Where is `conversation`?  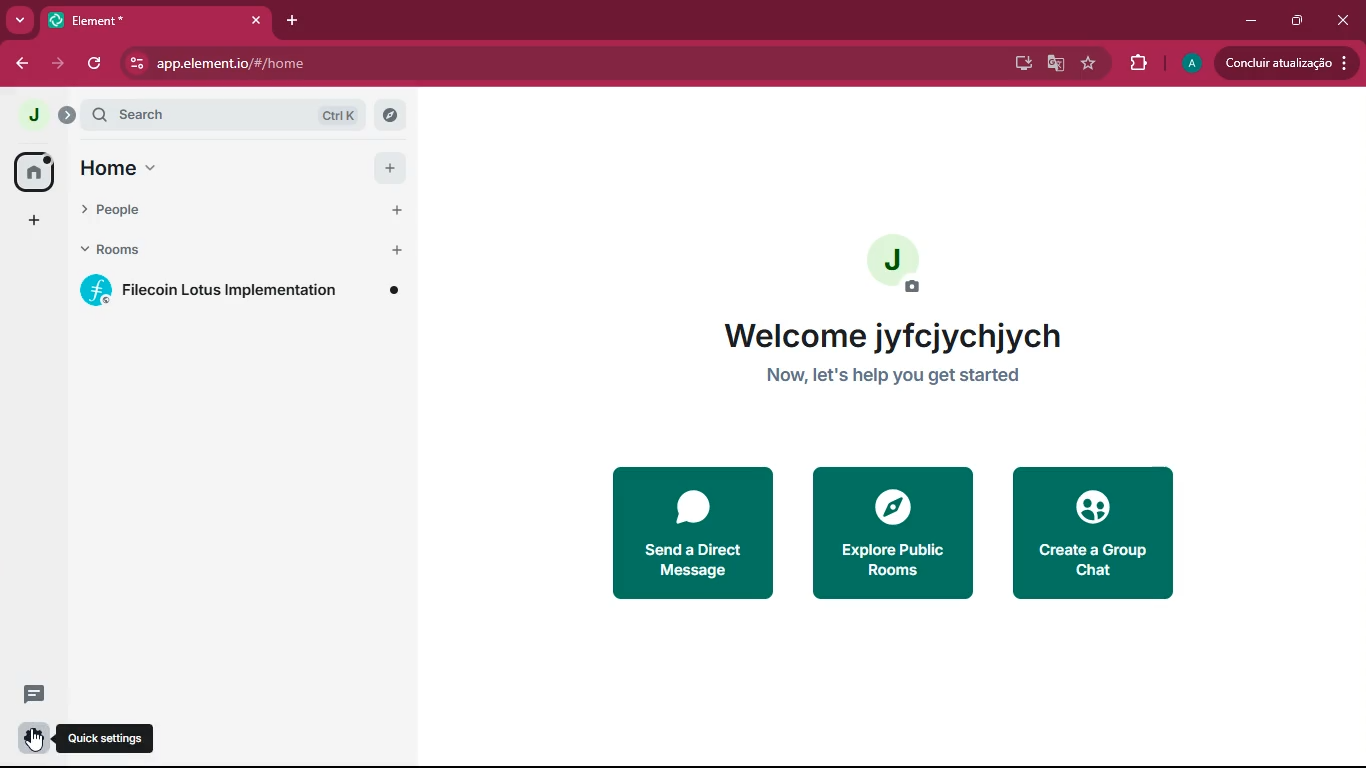 conversation is located at coordinates (34, 693).